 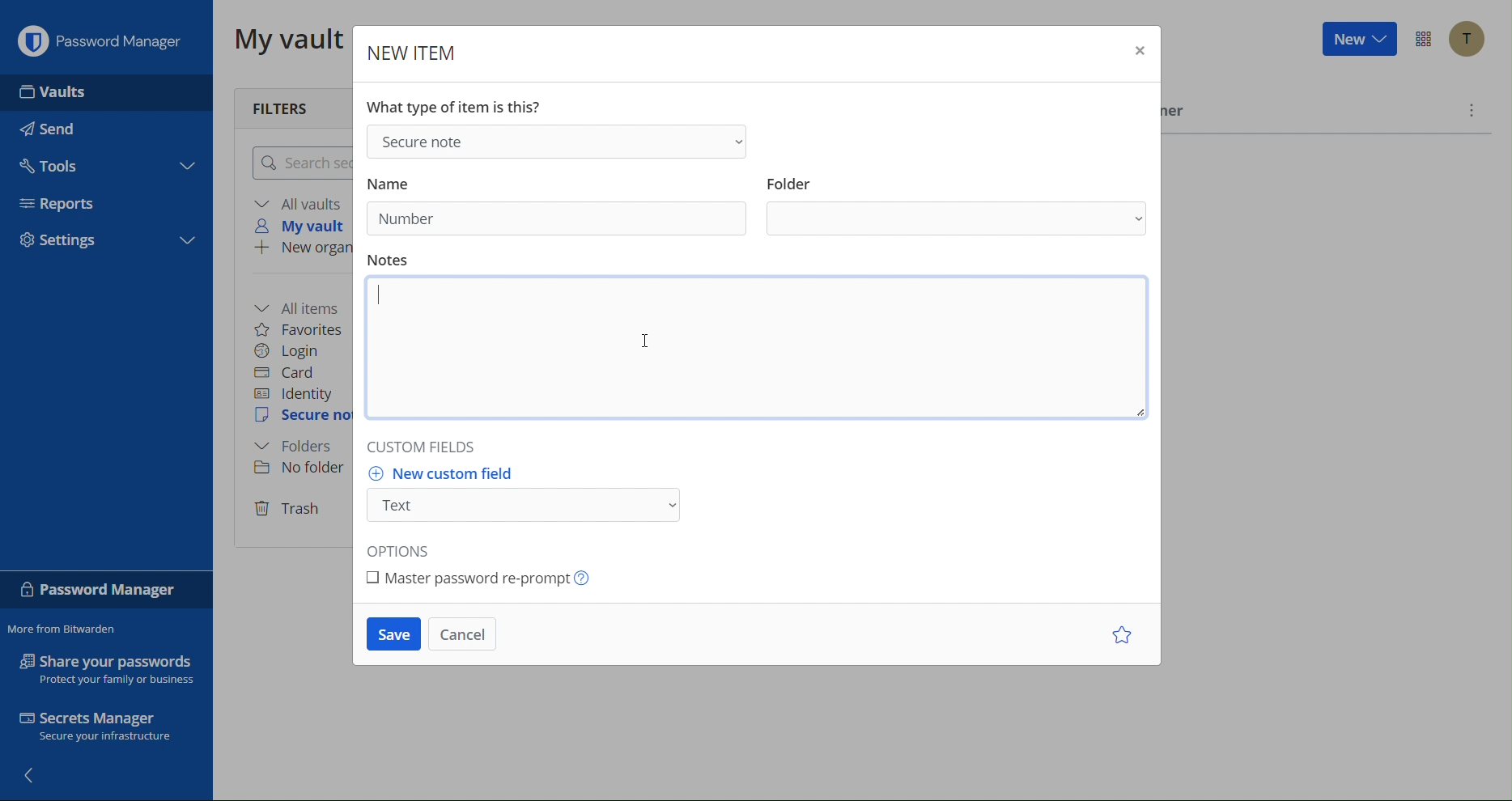 I want to click on Name, so click(x=401, y=180).